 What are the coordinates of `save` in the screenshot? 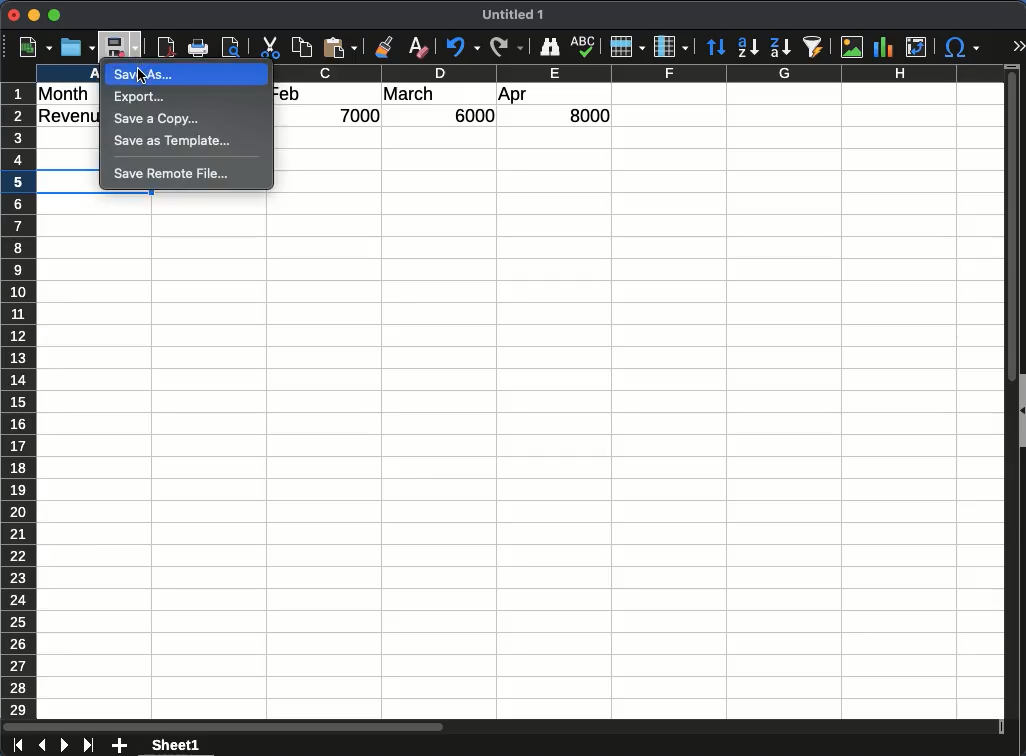 It's located at (122, 47).